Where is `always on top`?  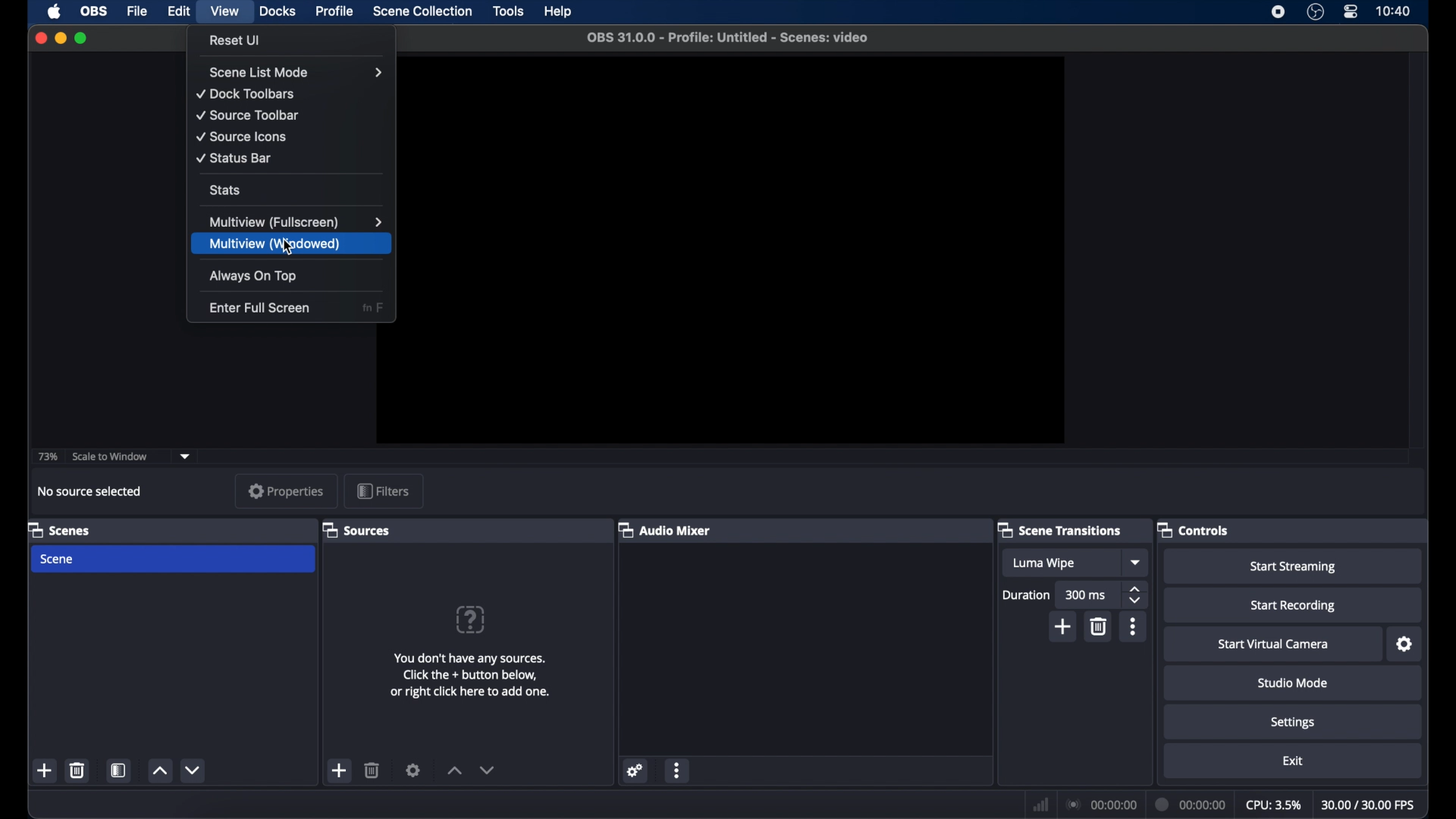 always on top is located at coordinates (254, 277).